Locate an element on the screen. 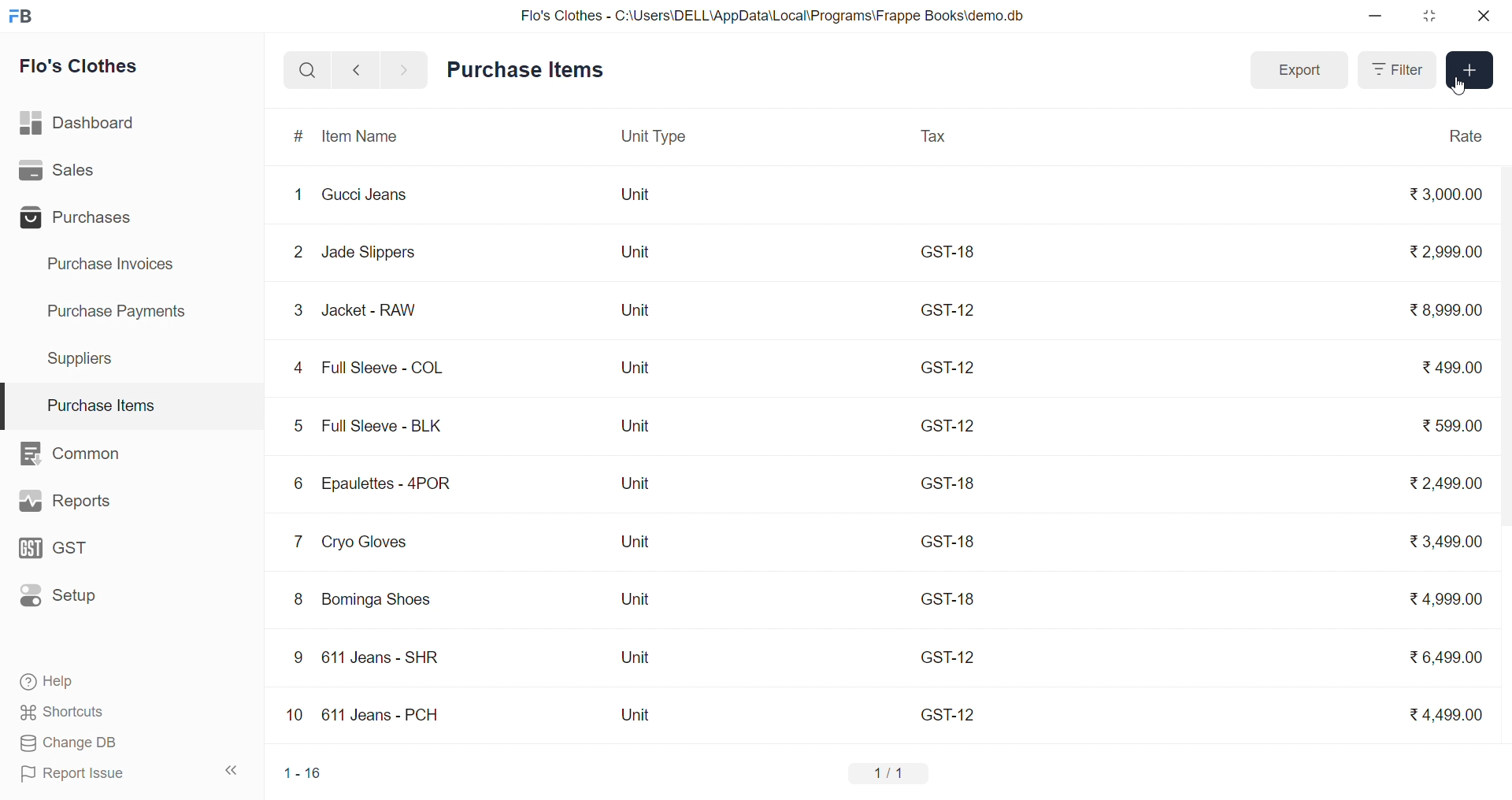 The height and width of the screenshot is (800, 1512). Unit is located at coordinates (632, 601).